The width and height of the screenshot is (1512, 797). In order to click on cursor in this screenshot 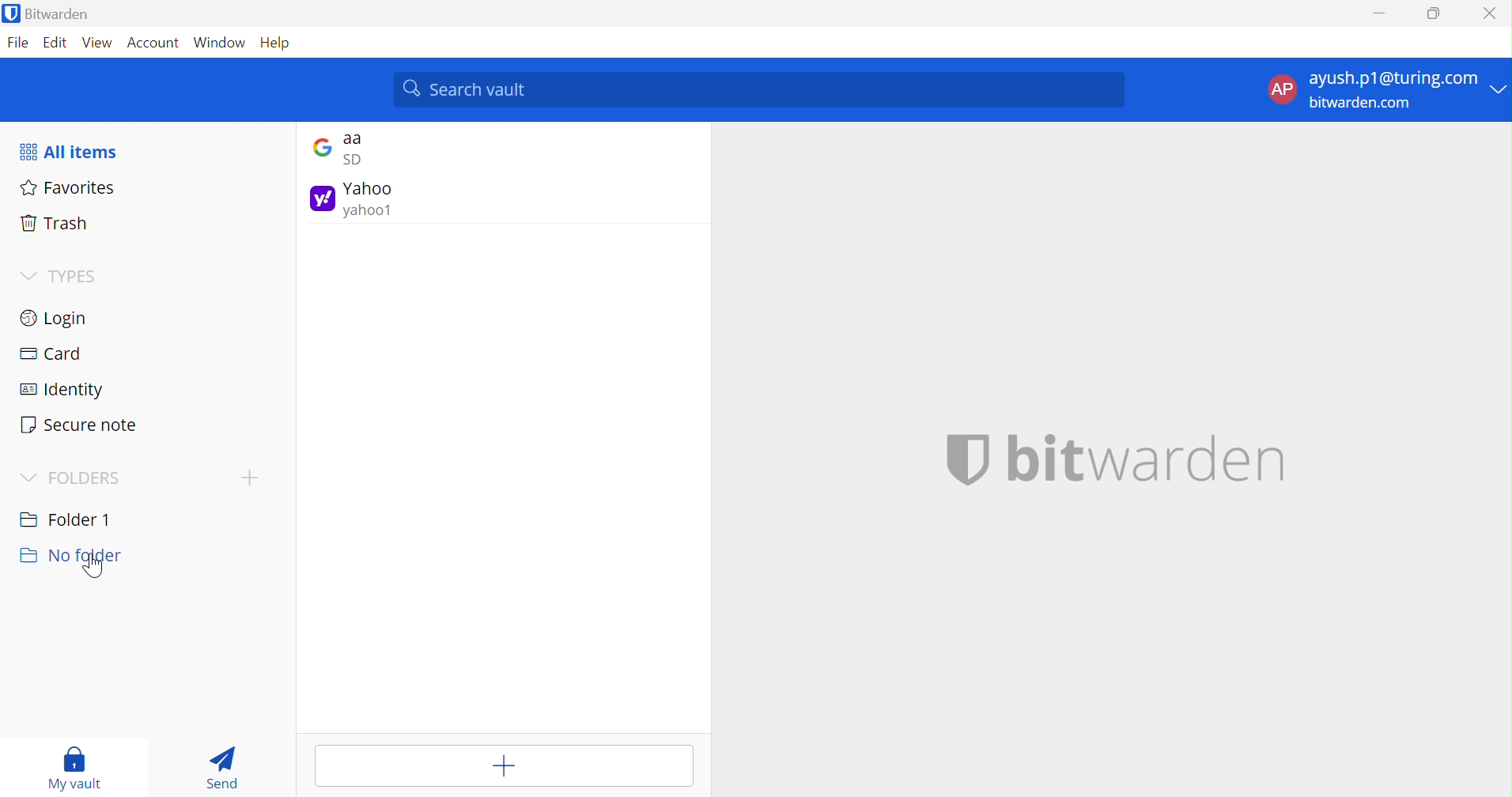, I will do `click(91, 566)`.